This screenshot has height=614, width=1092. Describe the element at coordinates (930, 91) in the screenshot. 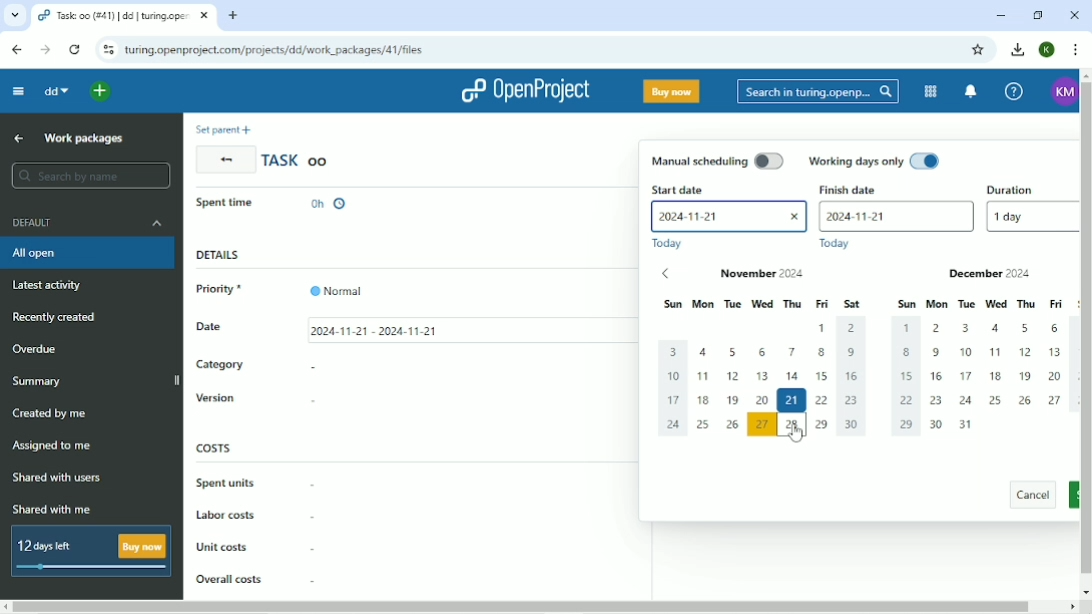

I see `Modules` at that location.